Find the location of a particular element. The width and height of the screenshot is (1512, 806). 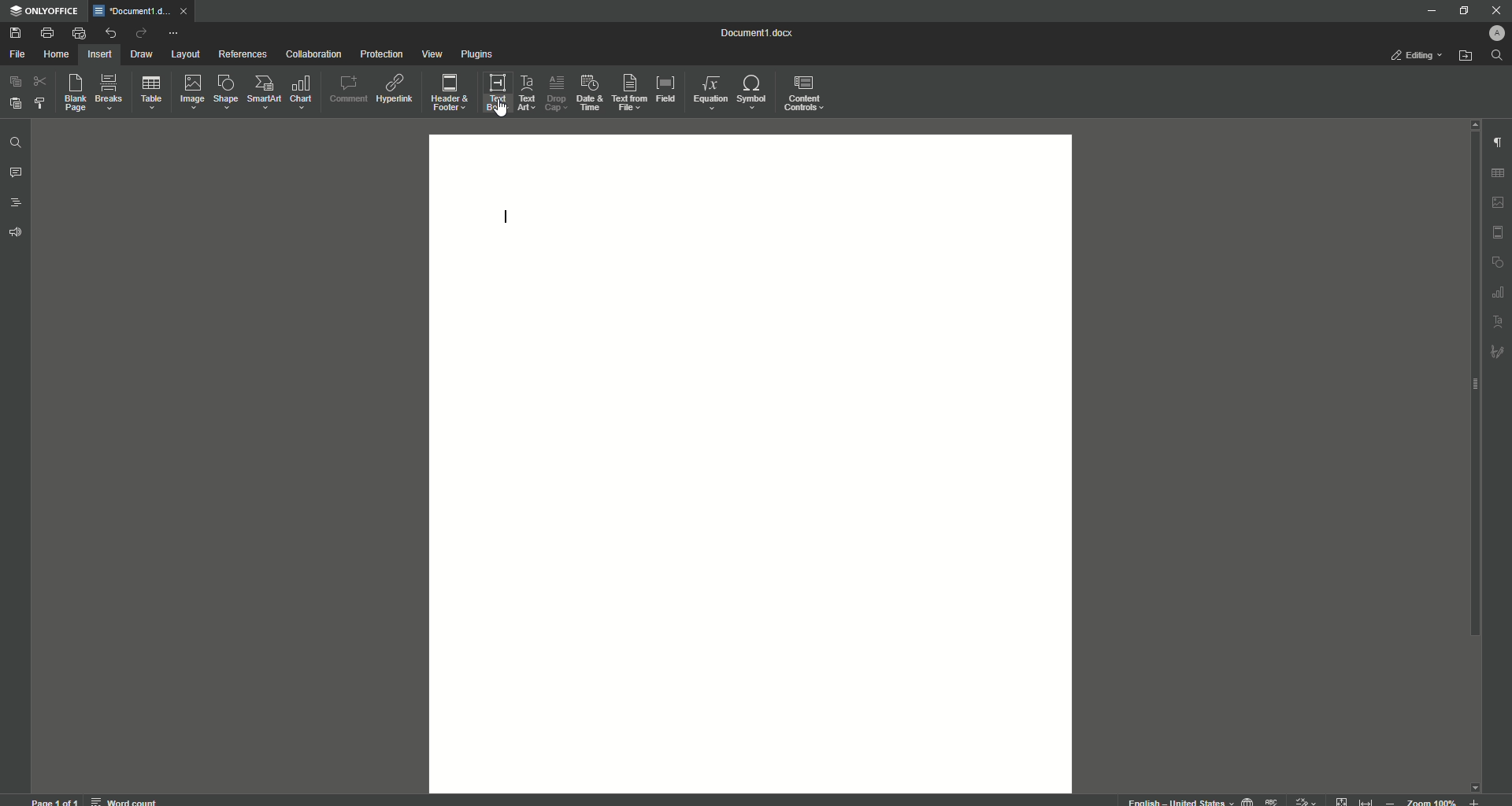

Minimize is located at coordinates (1427, 10).